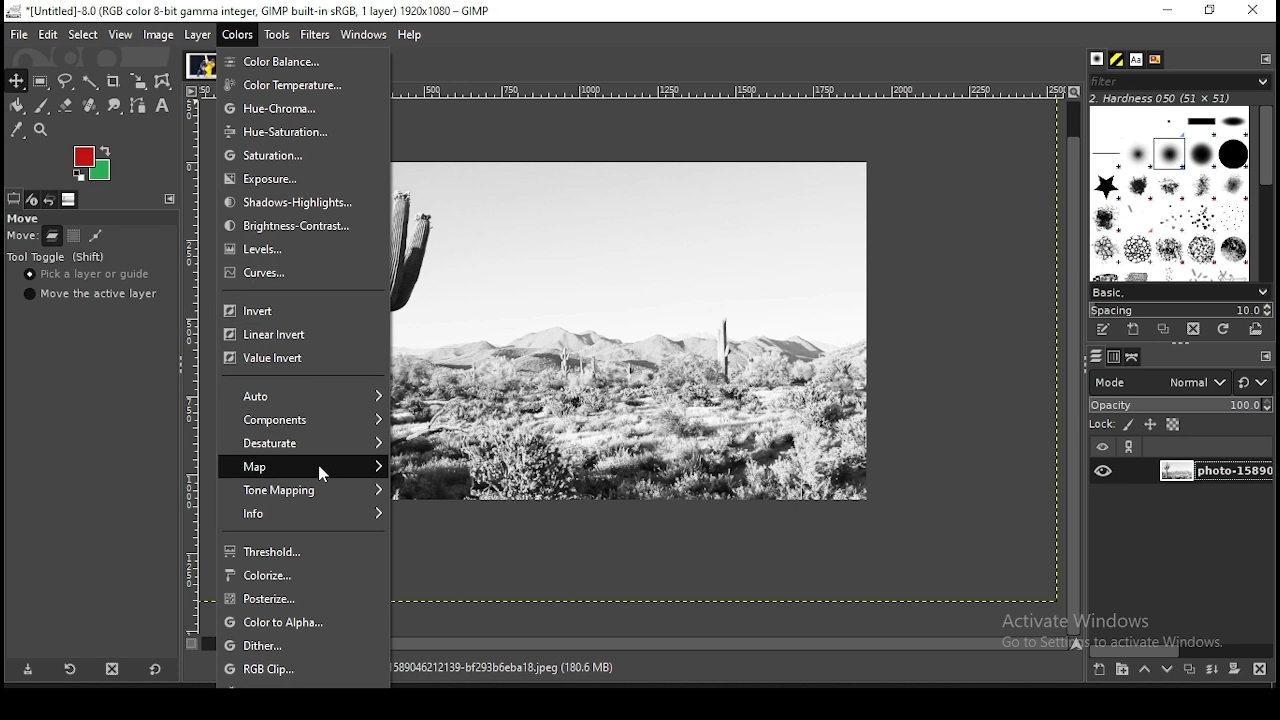 This screenshot has width=1280, height=720. Describe the element at coordinates (74, 235) in the screenshot. I see `move channels` at that location.